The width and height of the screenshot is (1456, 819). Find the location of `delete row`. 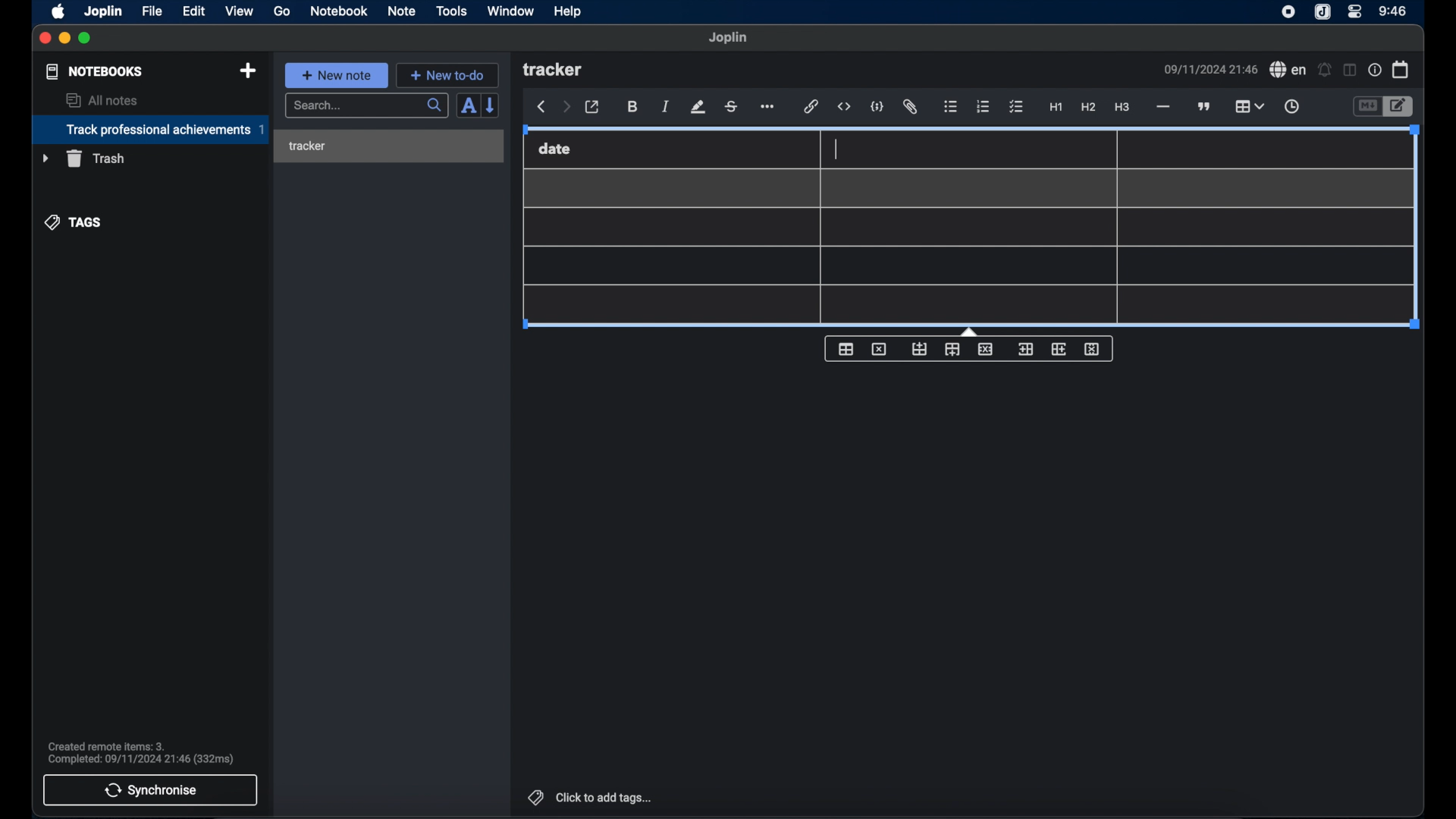

delete row is located at coordinates (985, 349).